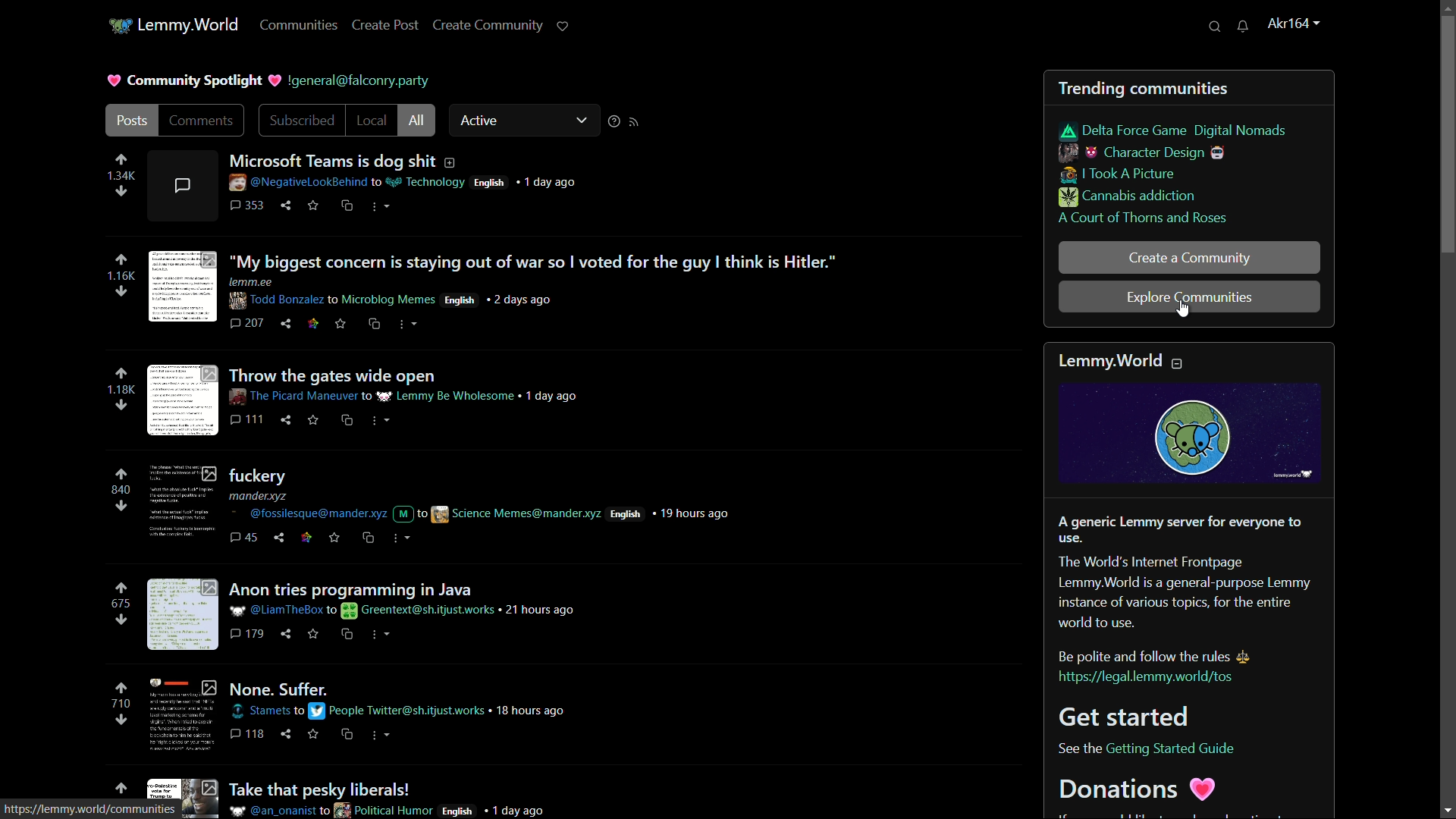  Describe the element at coordinates (409, 183) in the screenshot. I see `post details` at that location.